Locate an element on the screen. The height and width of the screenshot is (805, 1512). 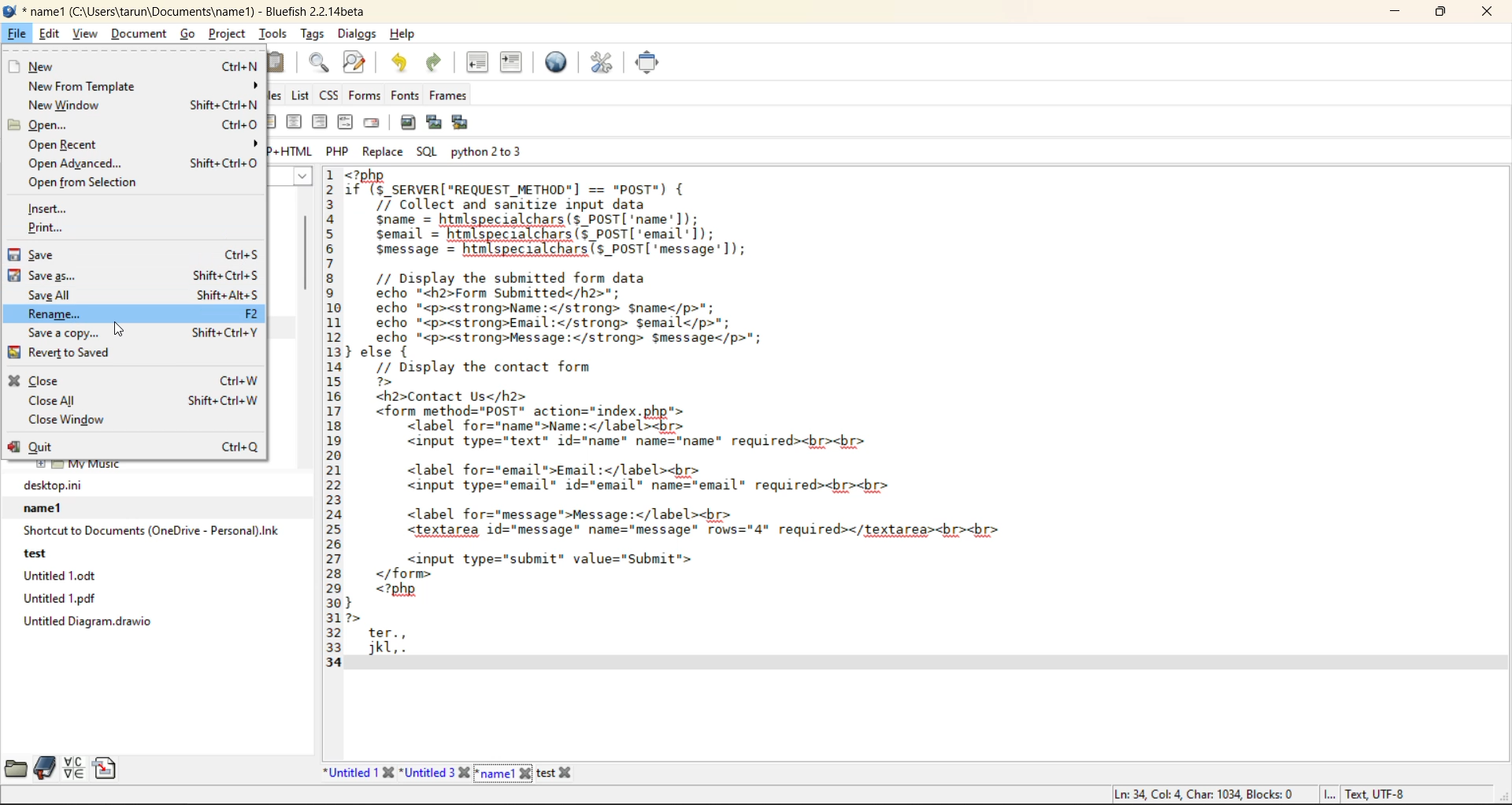
charmap is located at coordinates (74, 768).